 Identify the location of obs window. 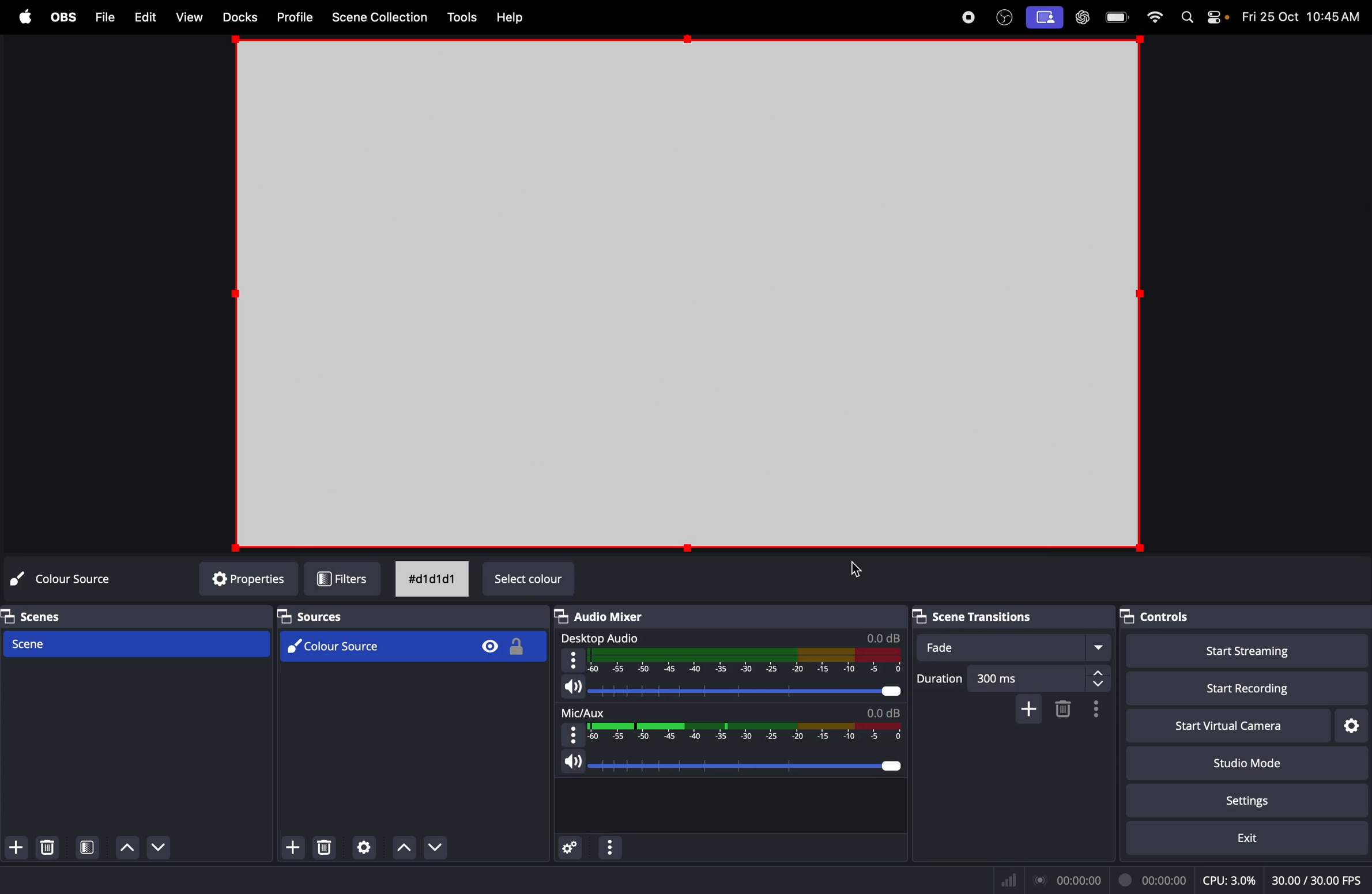
(685, 297).